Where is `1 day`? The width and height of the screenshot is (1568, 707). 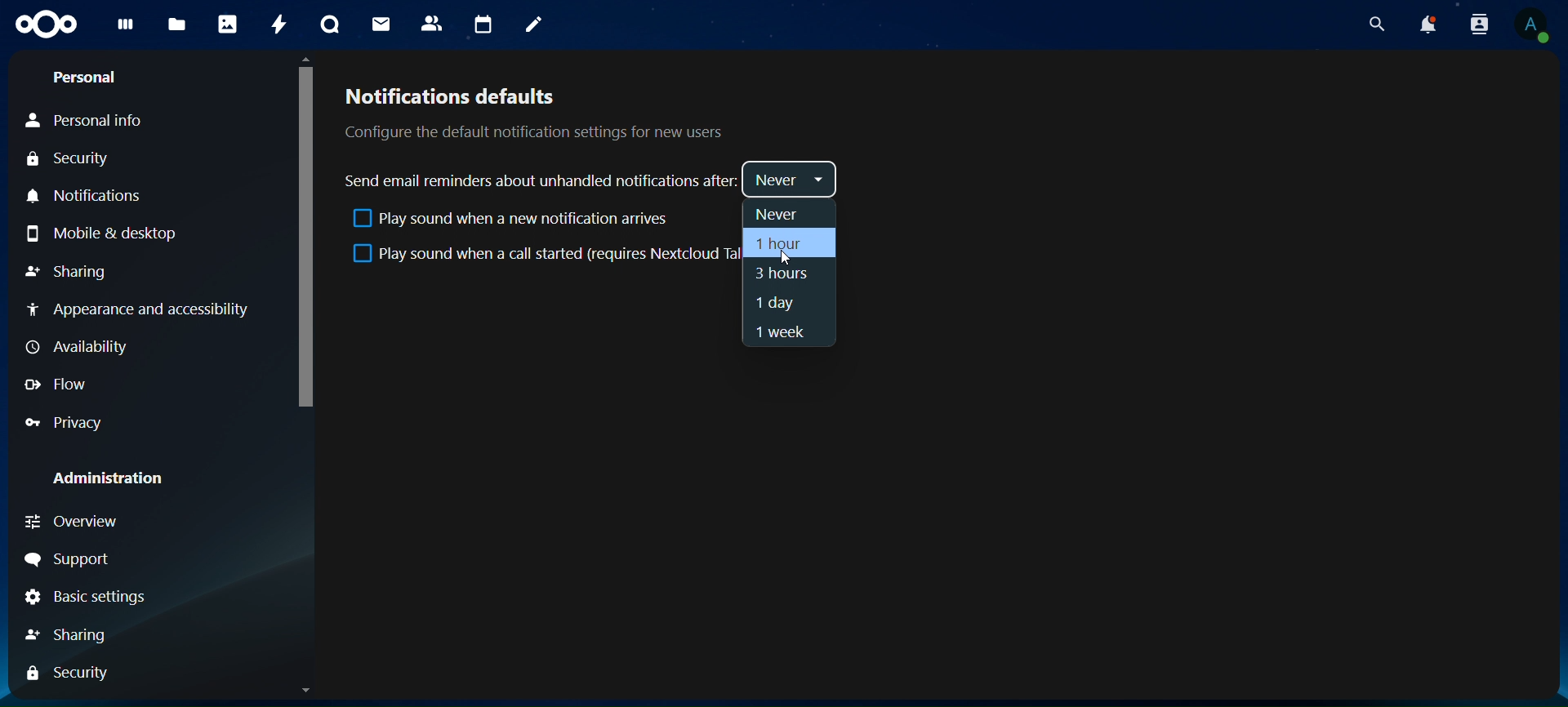
1 day is located at coordinates (777, 303).